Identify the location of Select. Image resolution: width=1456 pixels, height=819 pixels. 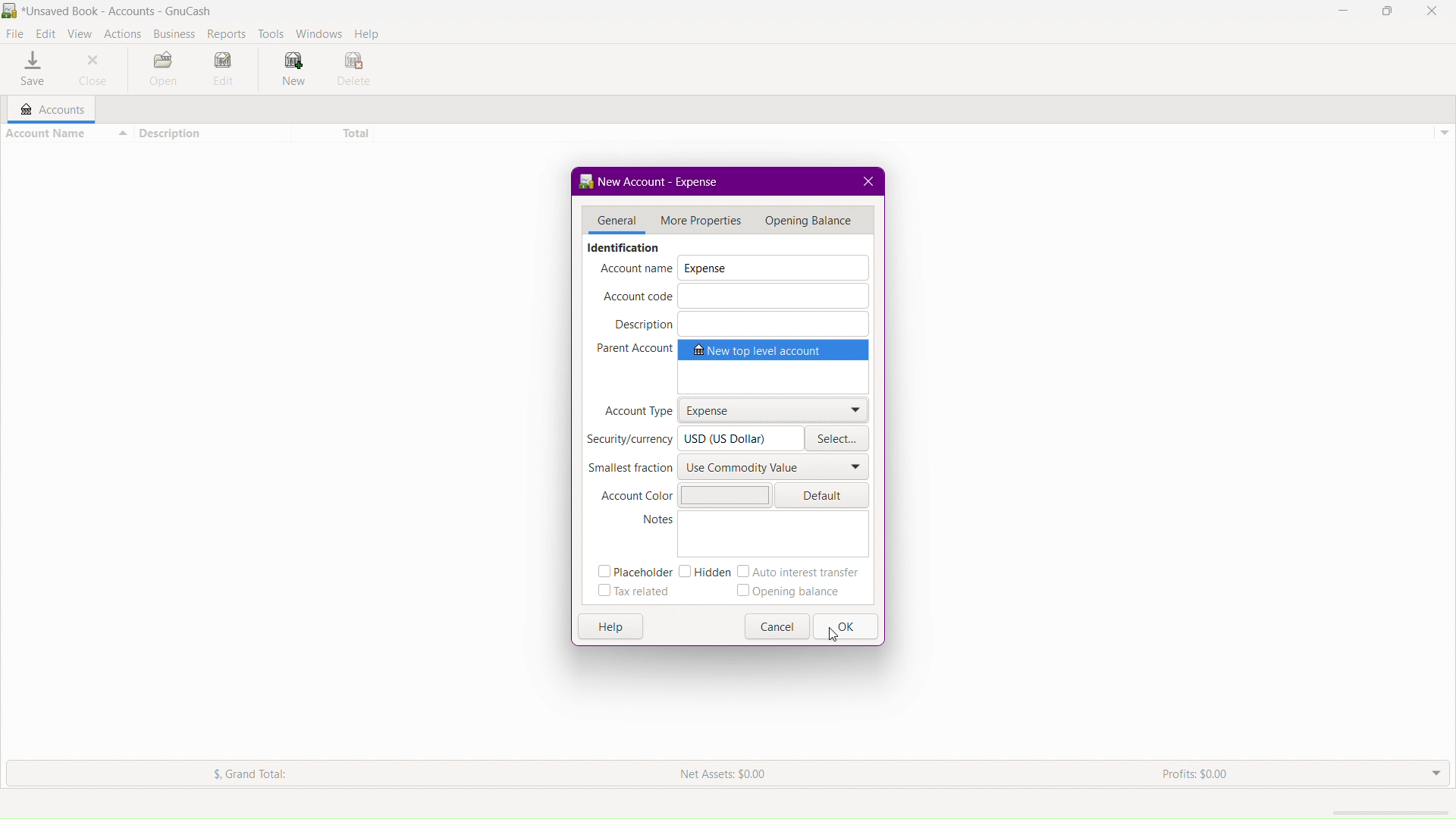
(839, 441).